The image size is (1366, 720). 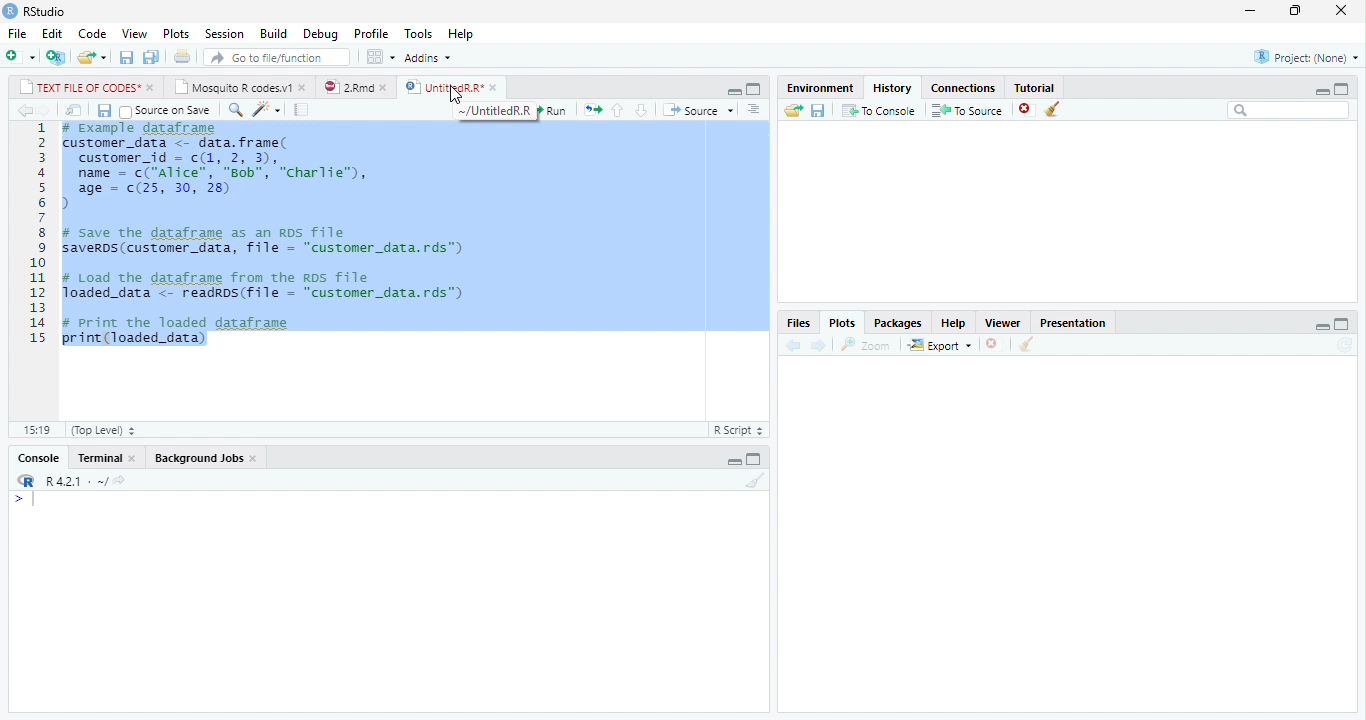 What do you see at coordinates (1002, 322) in the screenshot?
I see `Viewer` at bounding box center [1002, 322].